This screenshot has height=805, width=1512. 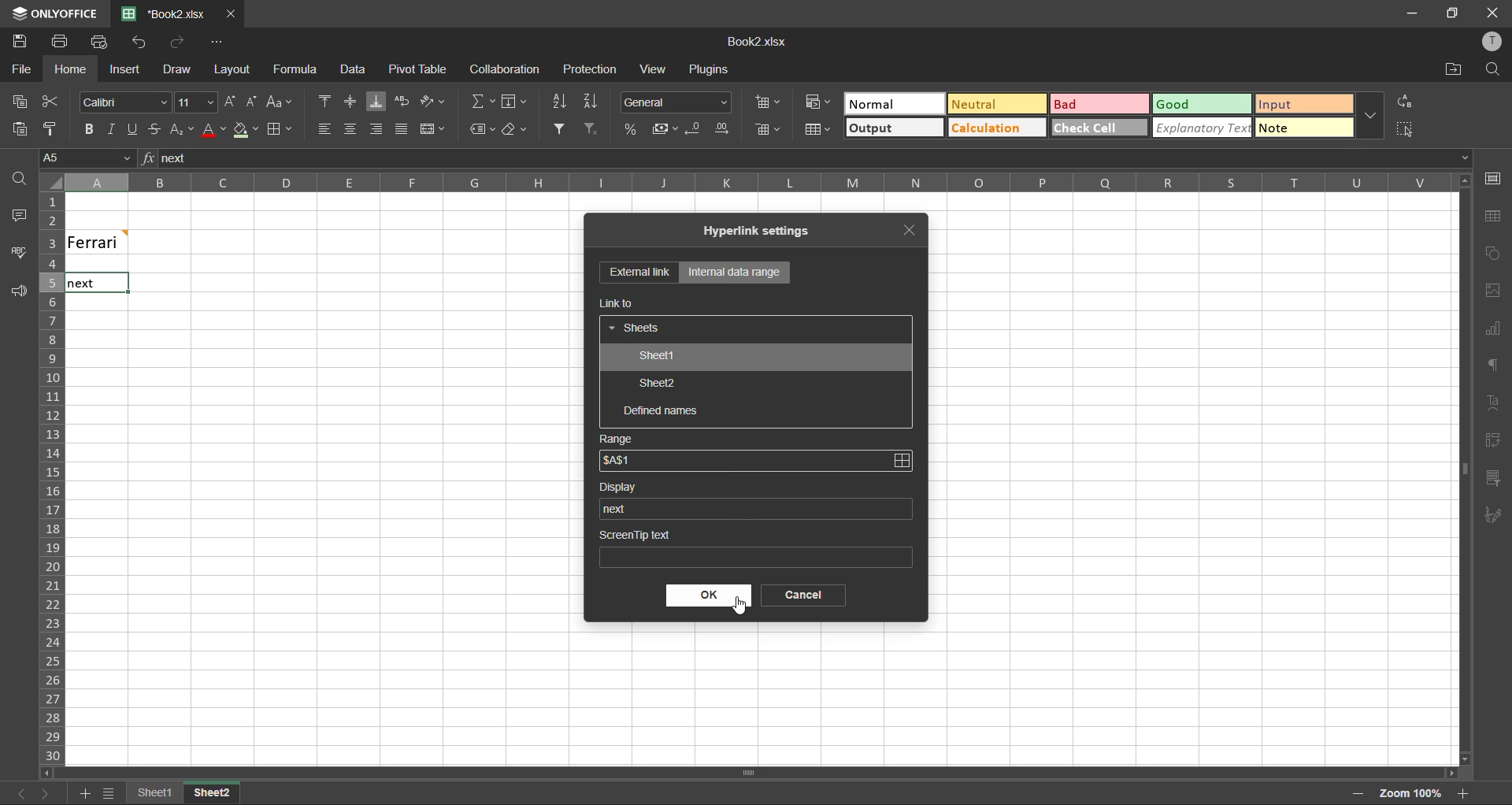 I want to click on next, so click(x=619, y=508).